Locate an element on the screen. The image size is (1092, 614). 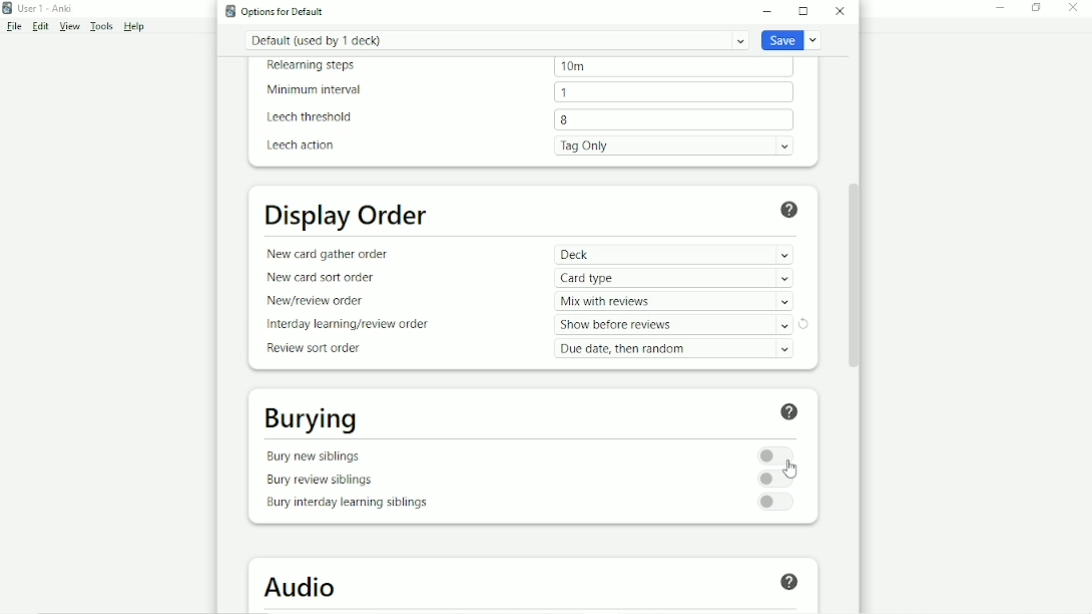
Bury new siblings is located at coordinates (316, 456).